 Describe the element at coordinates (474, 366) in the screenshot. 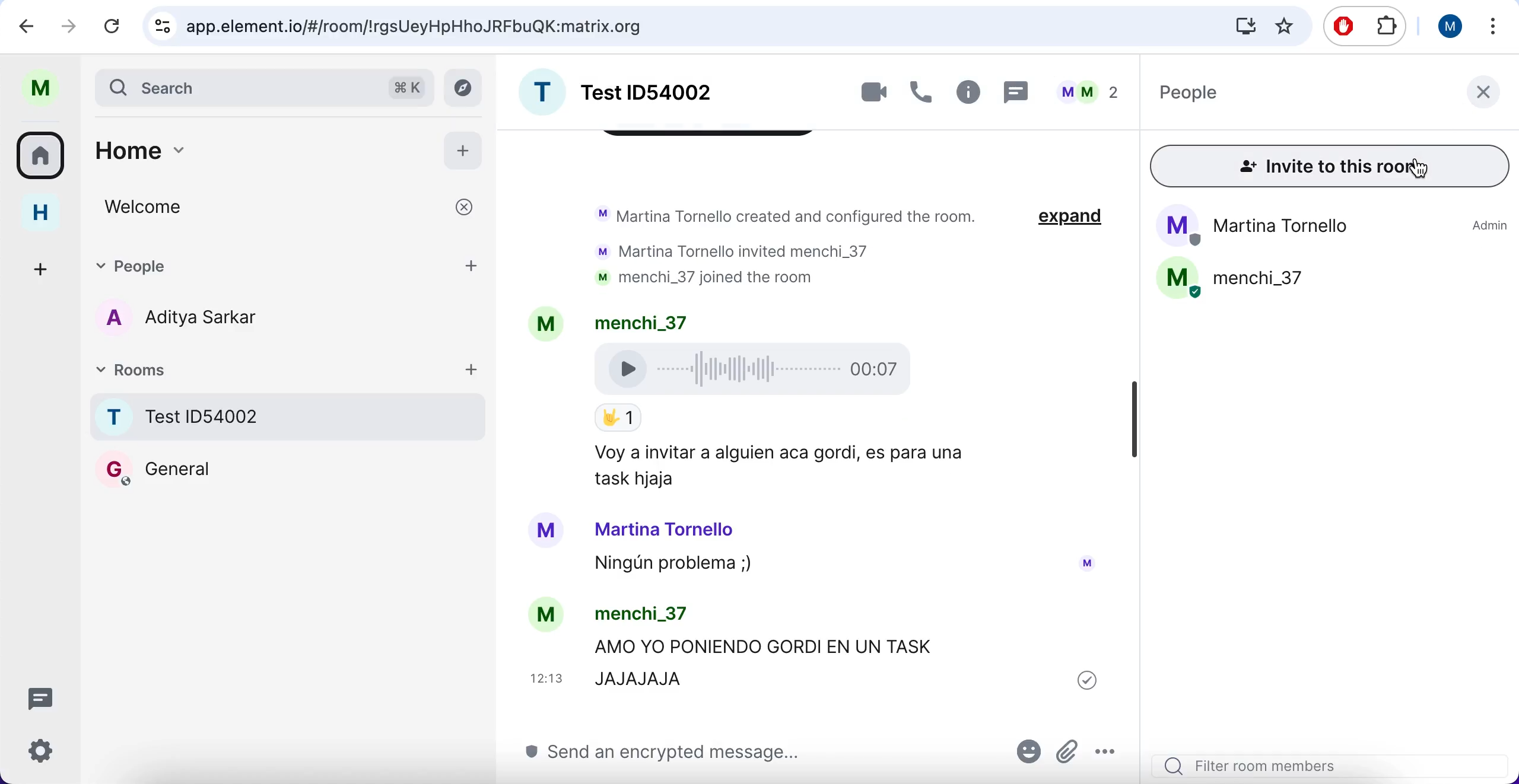

I see `add` at that location.